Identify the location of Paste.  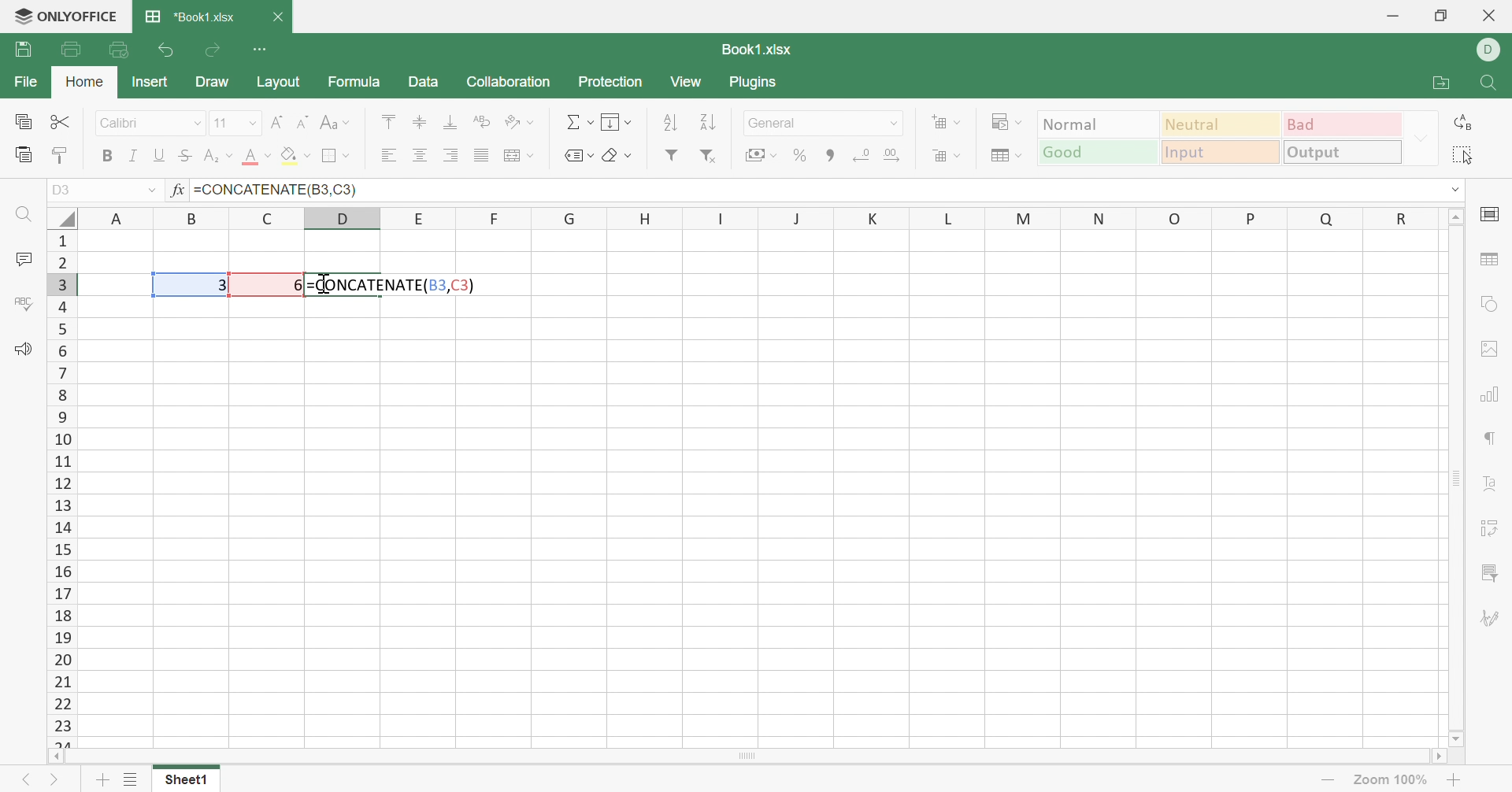
(24, 157).